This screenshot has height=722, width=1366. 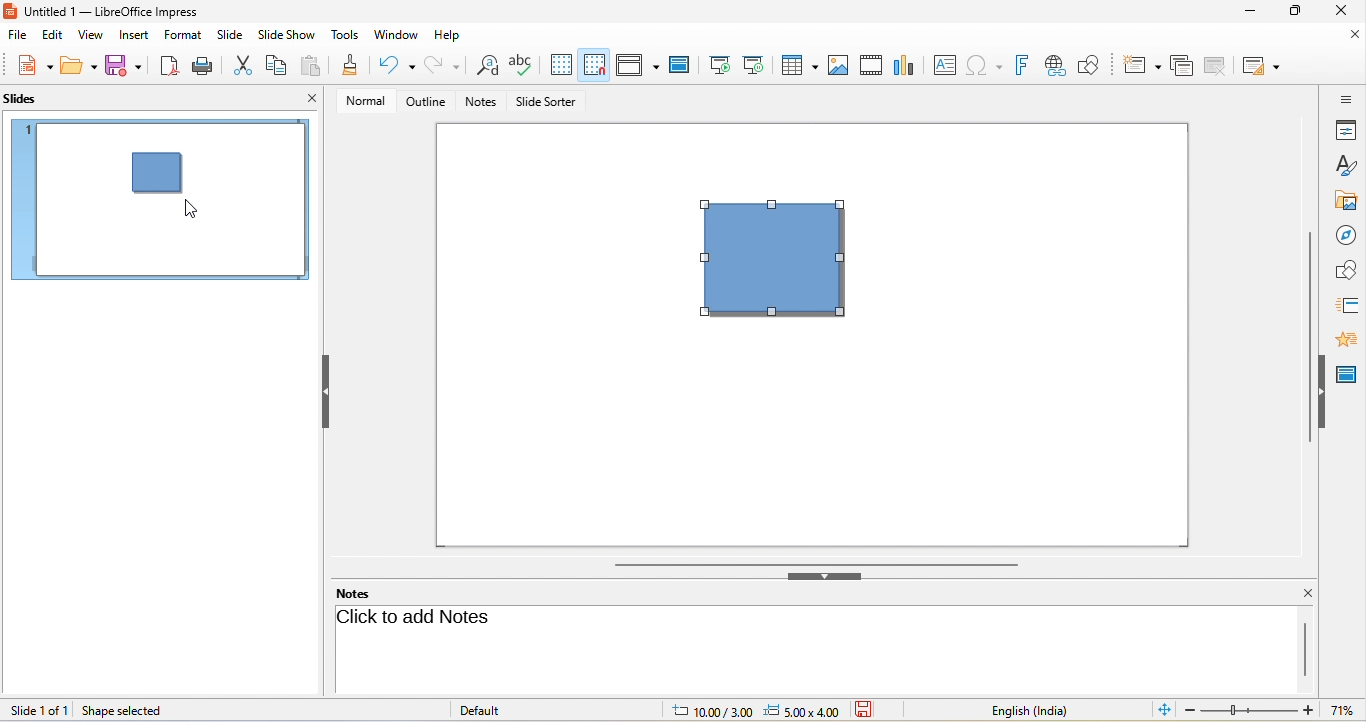 What do you see at coordinates (115, 11) in the screenshot?
I see `Untitled 1 — LibreOffice Impress` at bounding box center [115, 11].